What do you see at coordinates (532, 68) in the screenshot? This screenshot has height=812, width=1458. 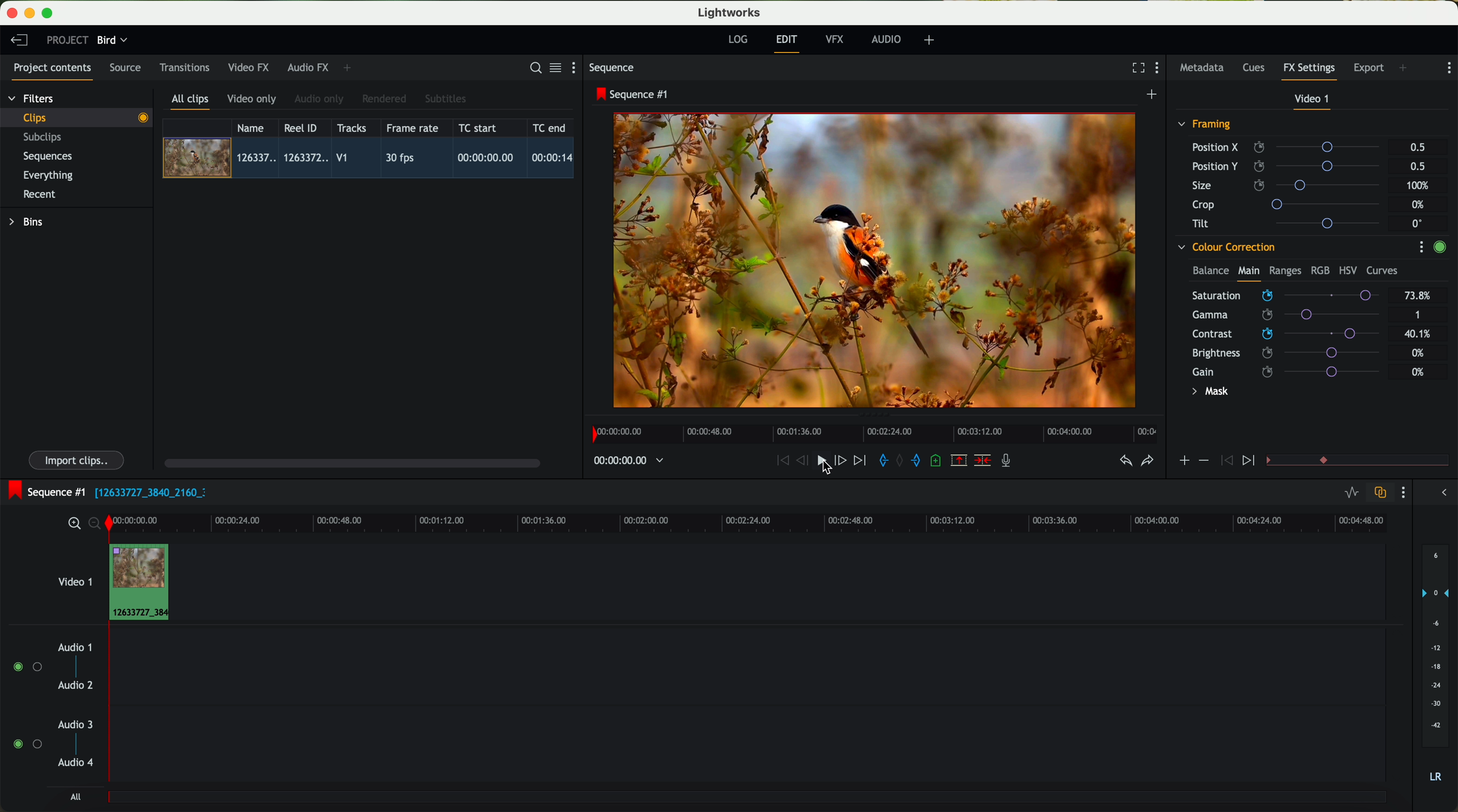 I see `search for assets or bins` at bounding box center [532, 68].